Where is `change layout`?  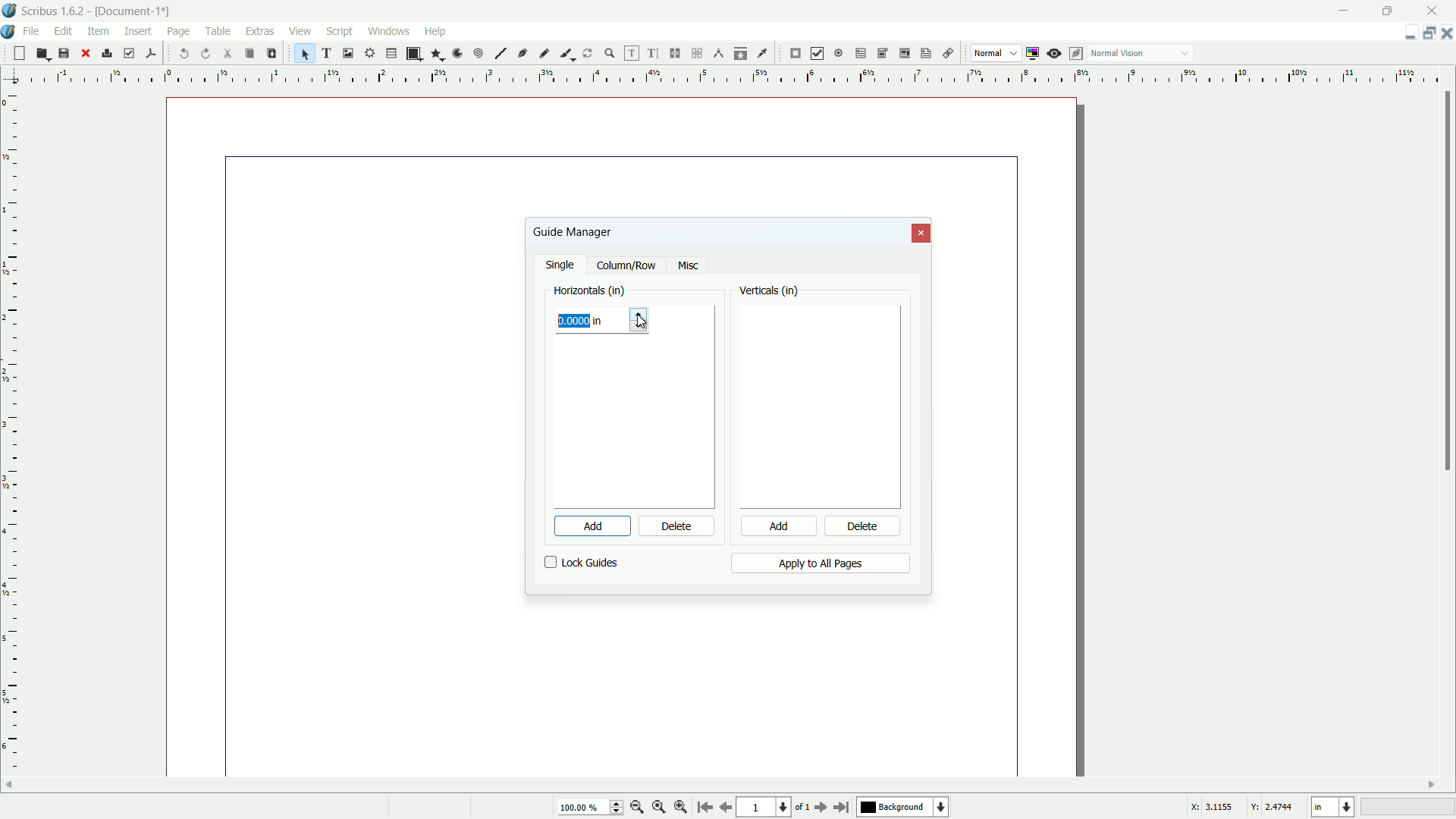
change layout is located at coordinates (1426, 33).